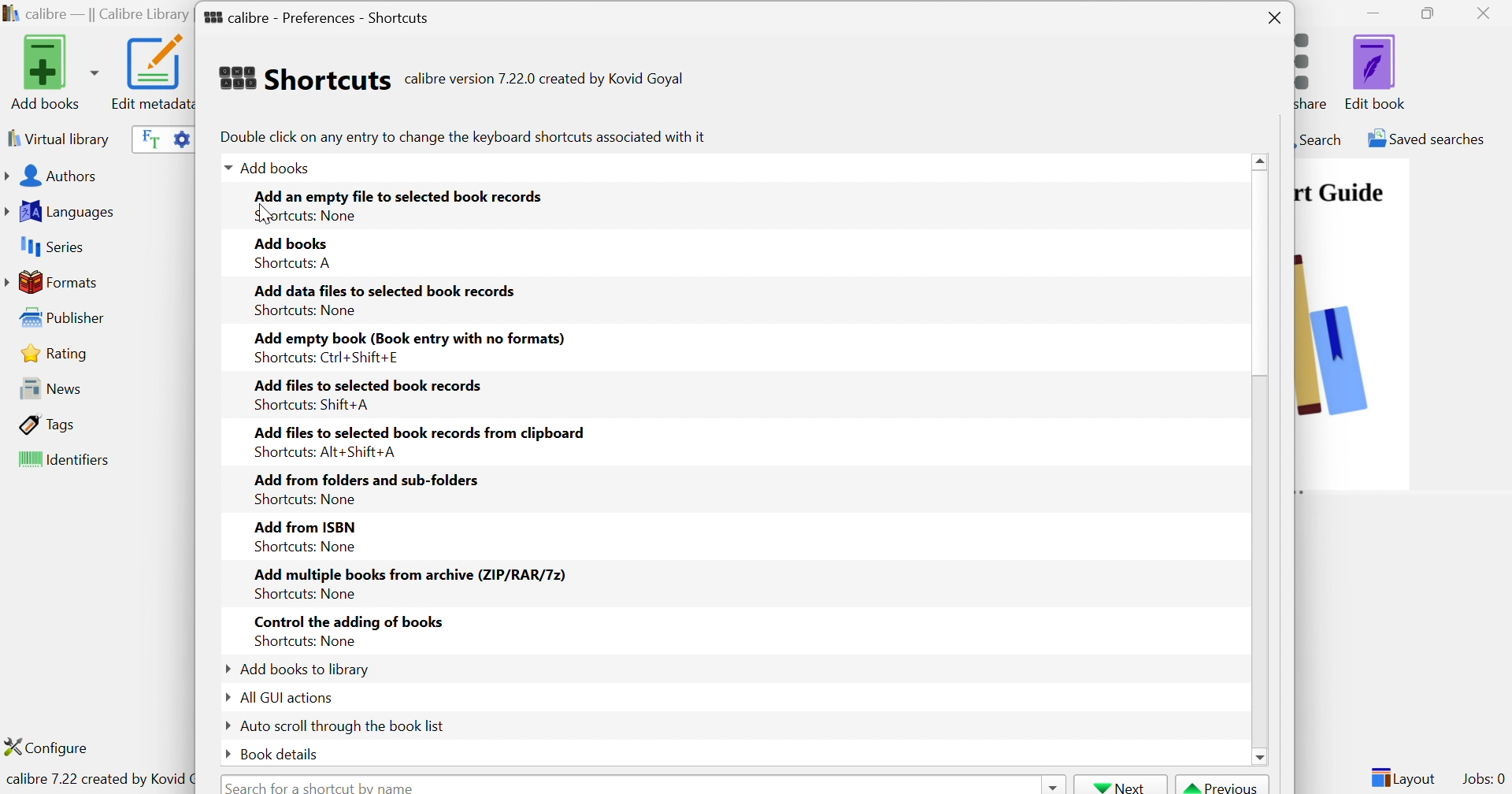  What do you see at coordinates (1316, 68) in the screenshot?
I see `Connect/share` at bounding box center [1316, 68].